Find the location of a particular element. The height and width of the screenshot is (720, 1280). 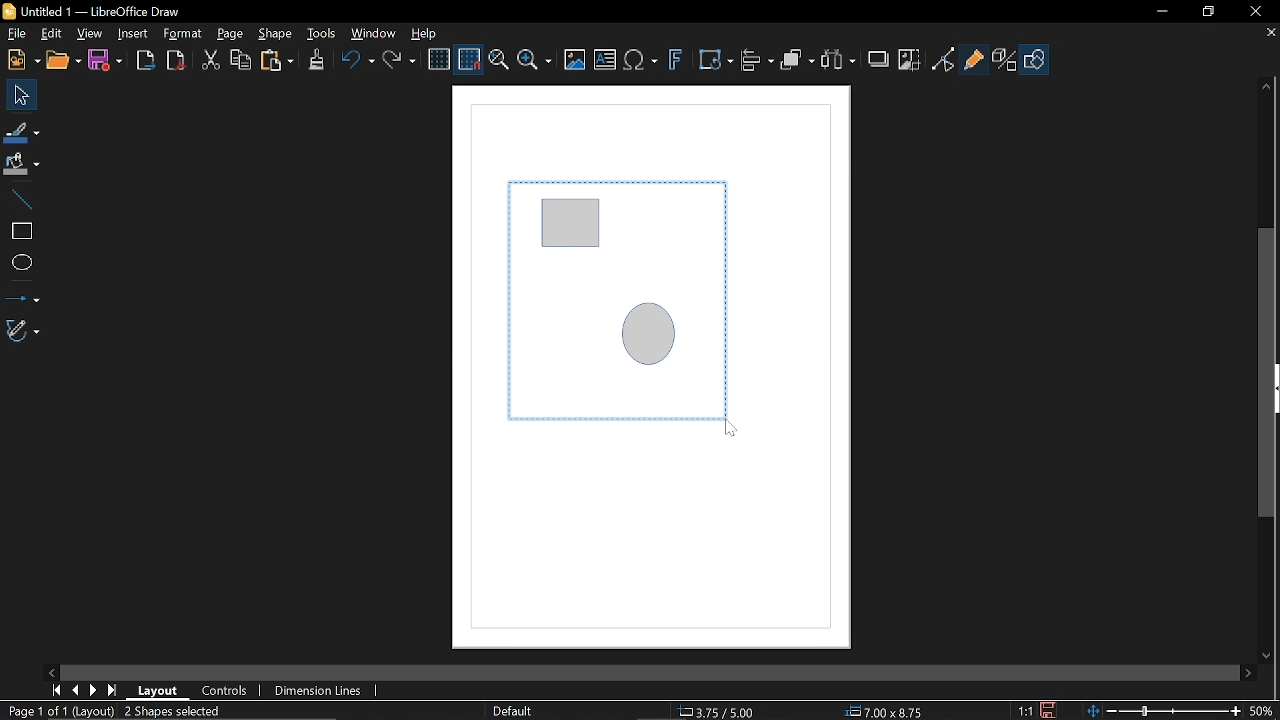

Dimension units is located at coordinates (316, 691).